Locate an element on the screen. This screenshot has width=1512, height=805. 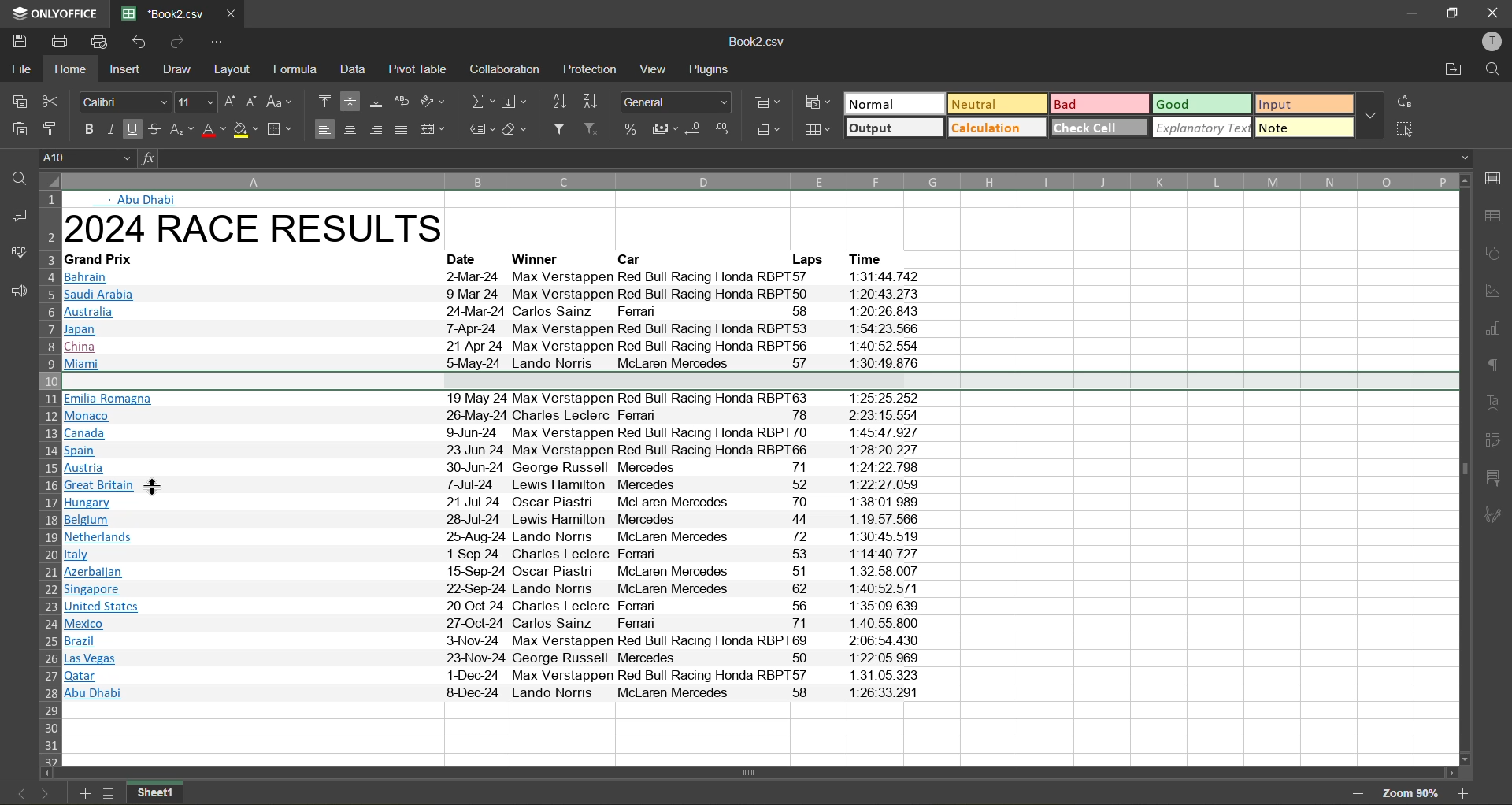
zoom out is located at coordinates (1358, 796).